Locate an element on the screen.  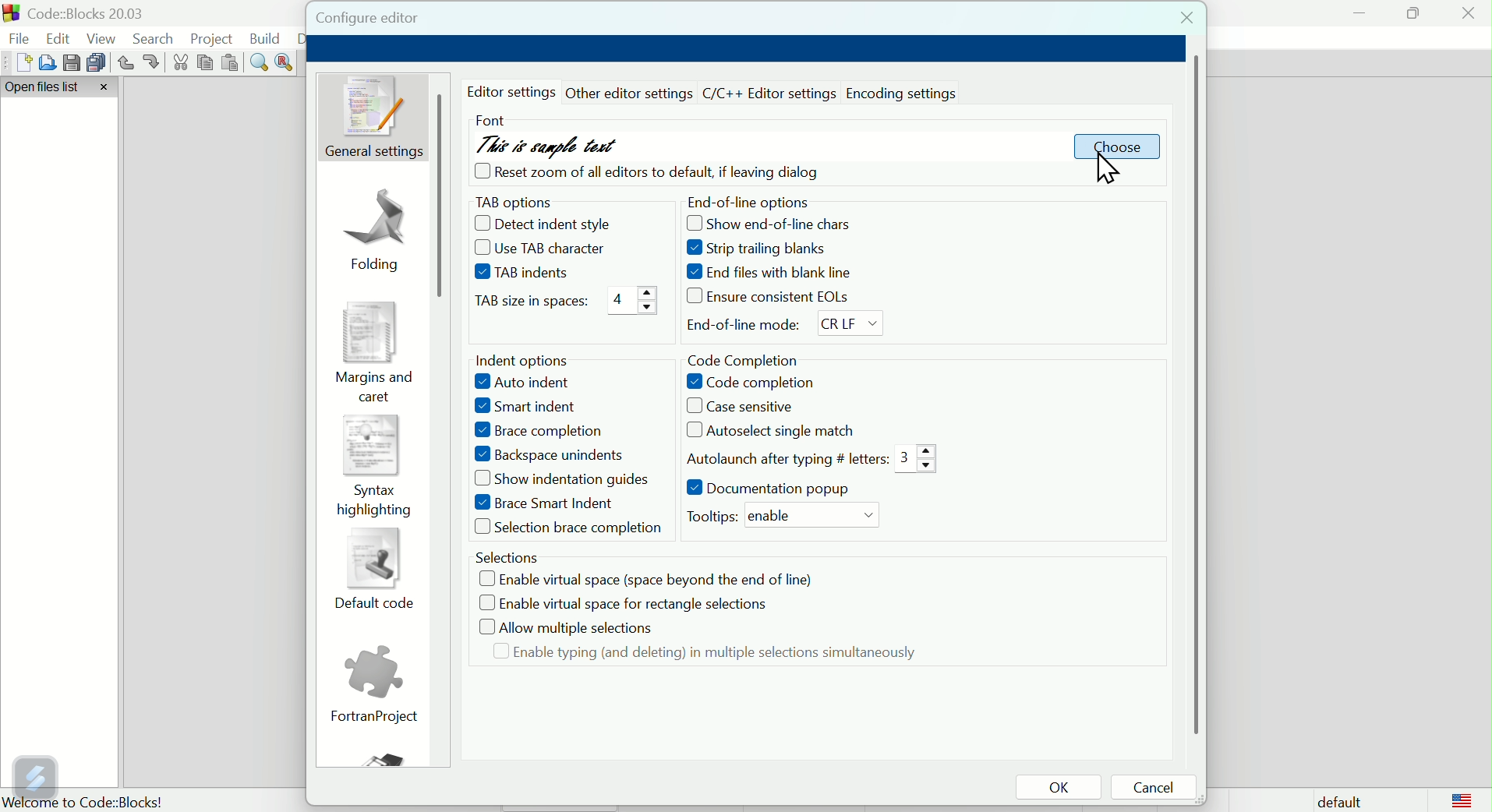
Backspace Unindents is located at coordinates (552, 453).